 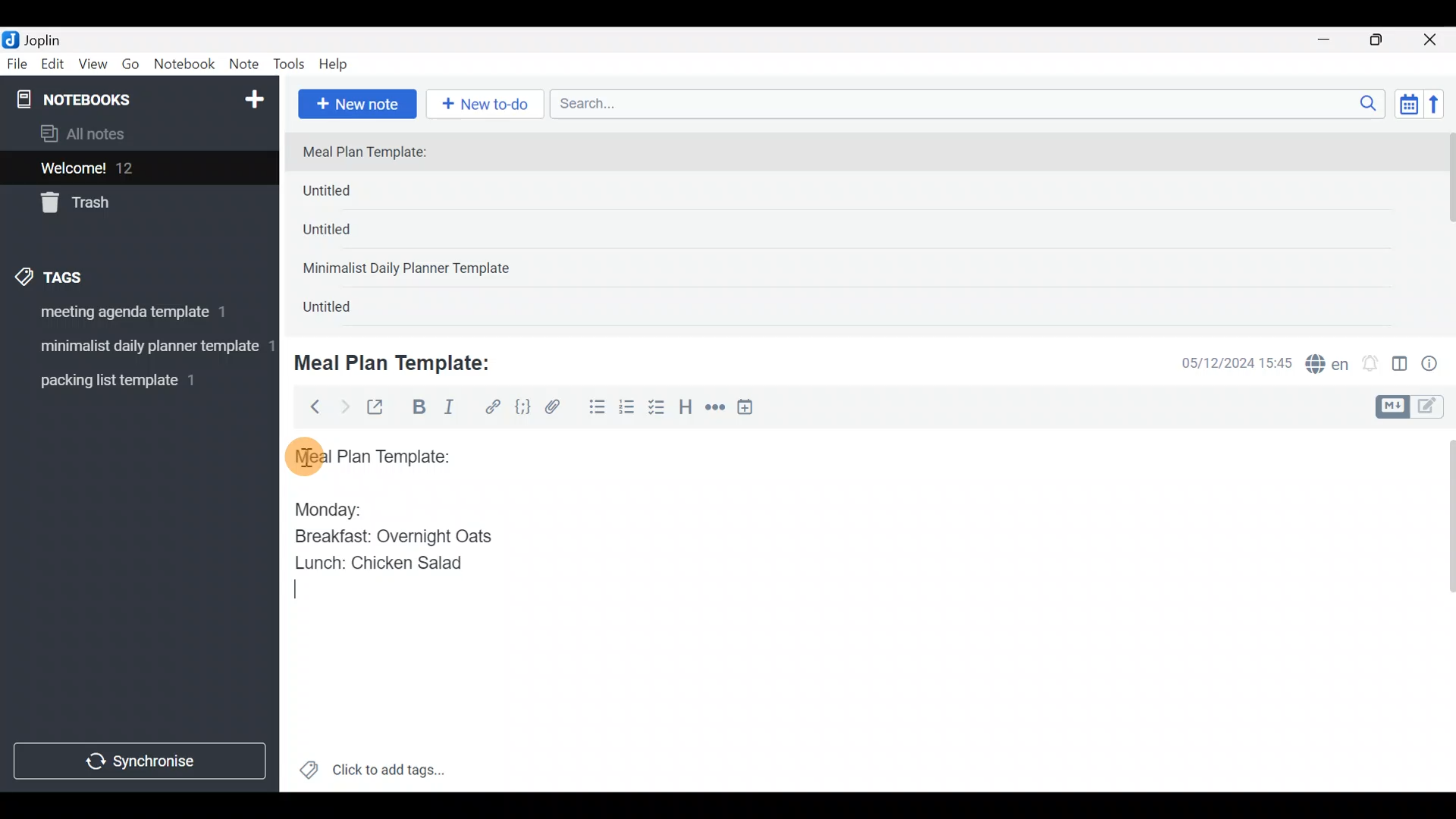 What do you see at coordinates (1408, 105) in the screenshot?
I see `Toggle sort order` at bounding box center [1408, 105].